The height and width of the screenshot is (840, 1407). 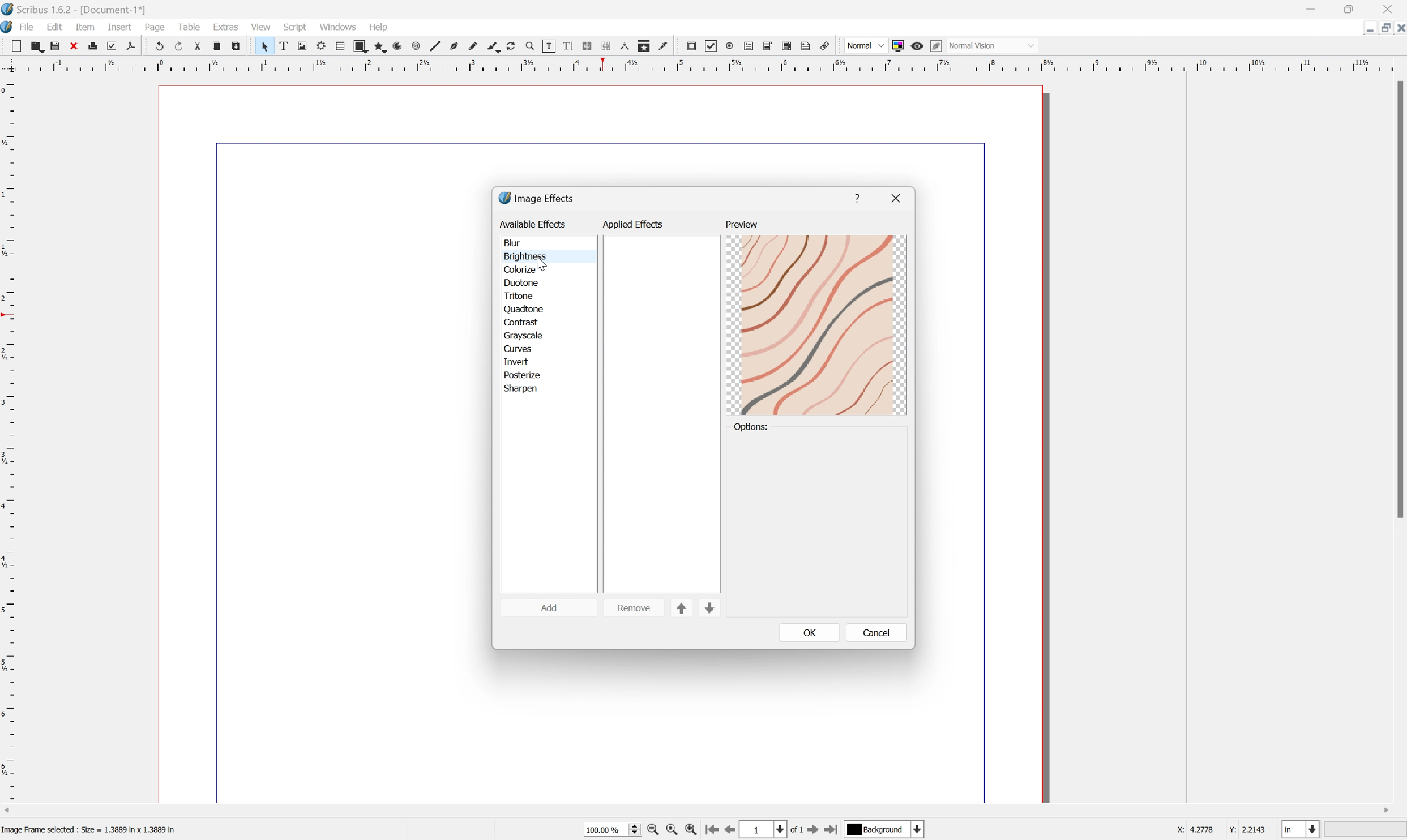 What do you see at coordinates (936, 46) in the screenshot?
I see `Edit in preview mode` at bounding box center [936, 46].